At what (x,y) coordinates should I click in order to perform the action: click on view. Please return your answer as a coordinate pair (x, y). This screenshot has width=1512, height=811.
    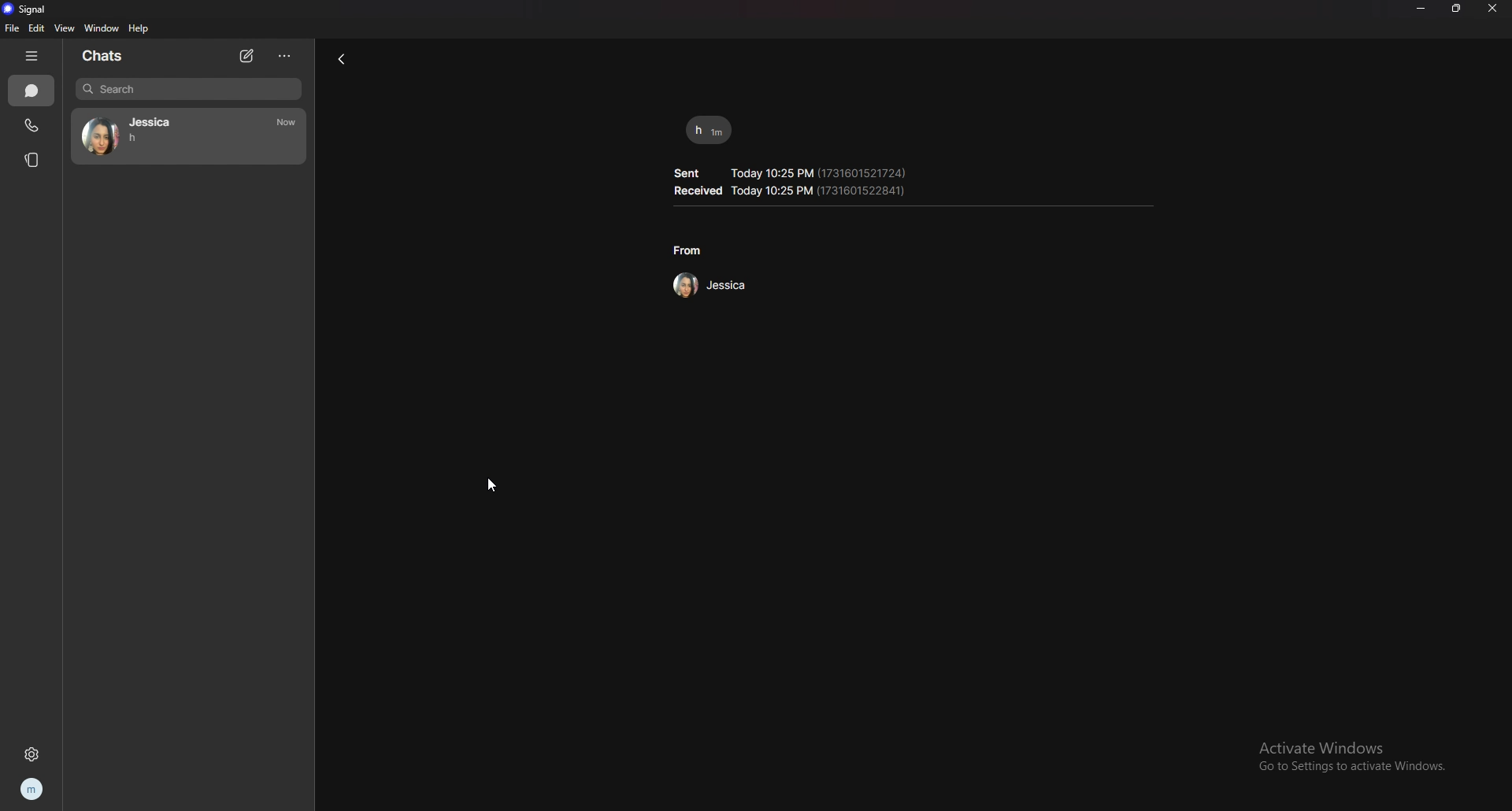
    Looking at the image, I should click on (64, 28).